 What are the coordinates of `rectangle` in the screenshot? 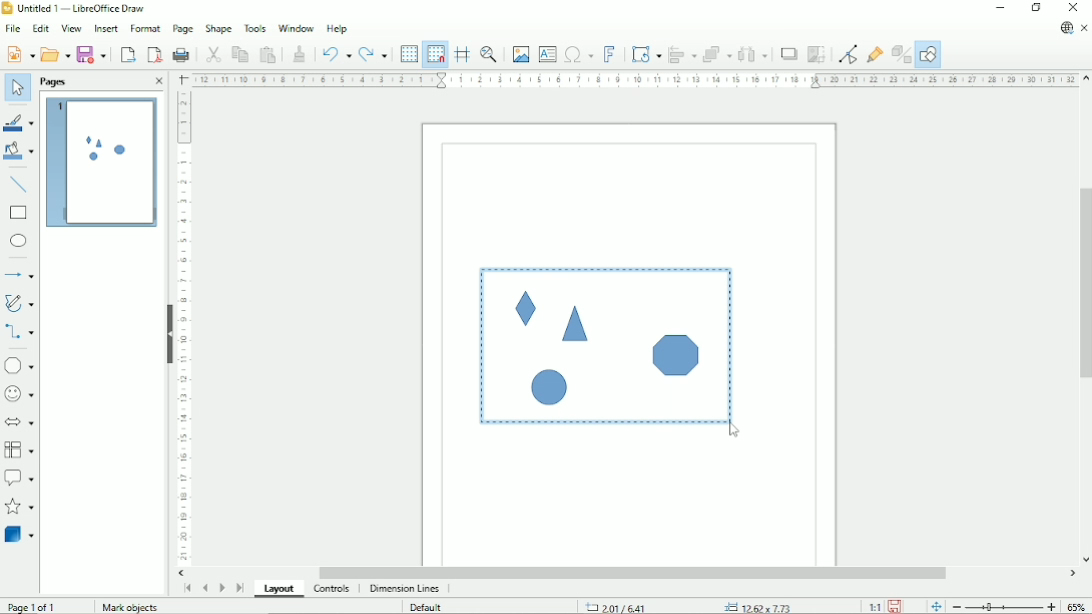 It's located at (18, 213).